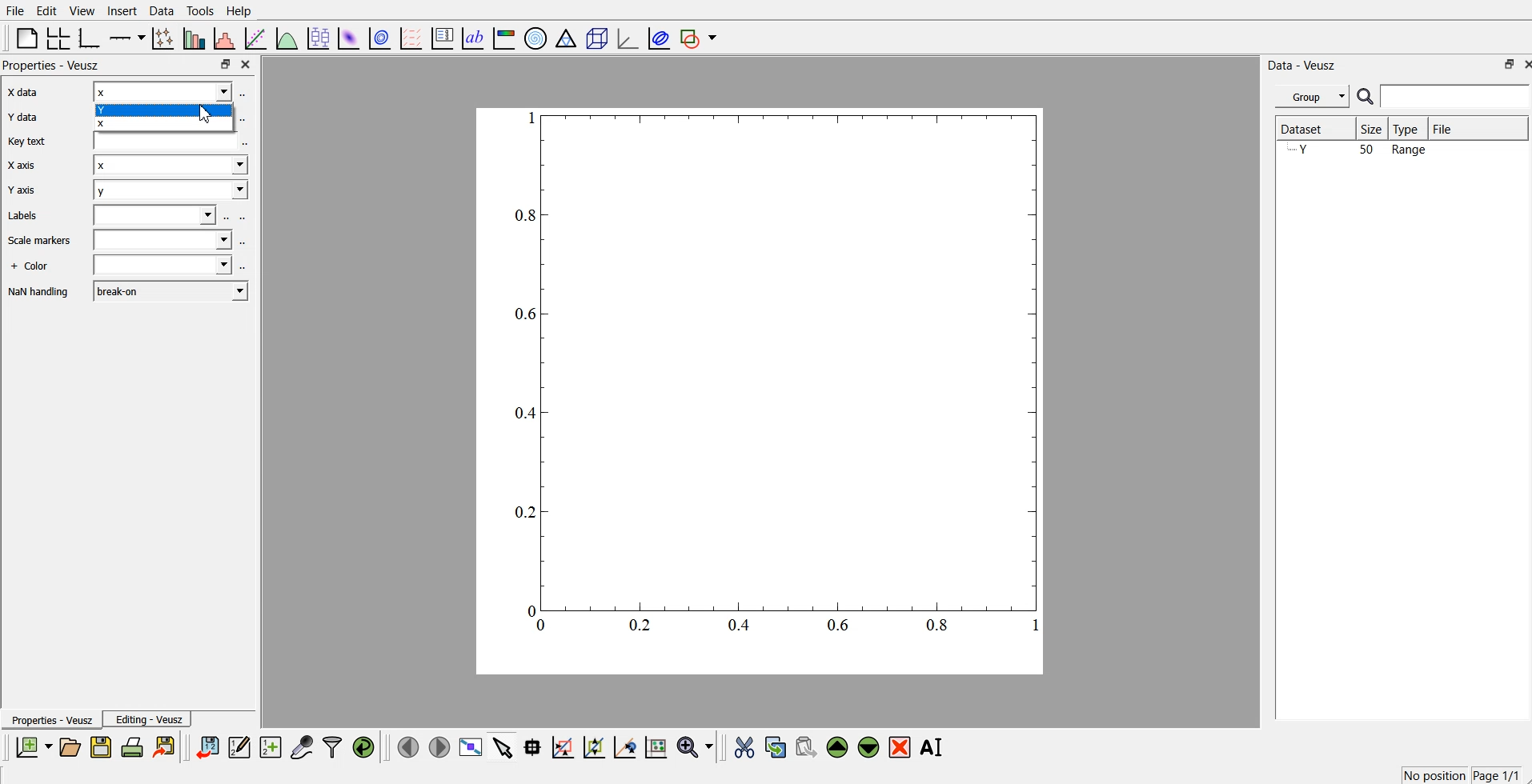  Describe the element at coordinates (38, 142) in the screenshot. I see `key text` at that location.